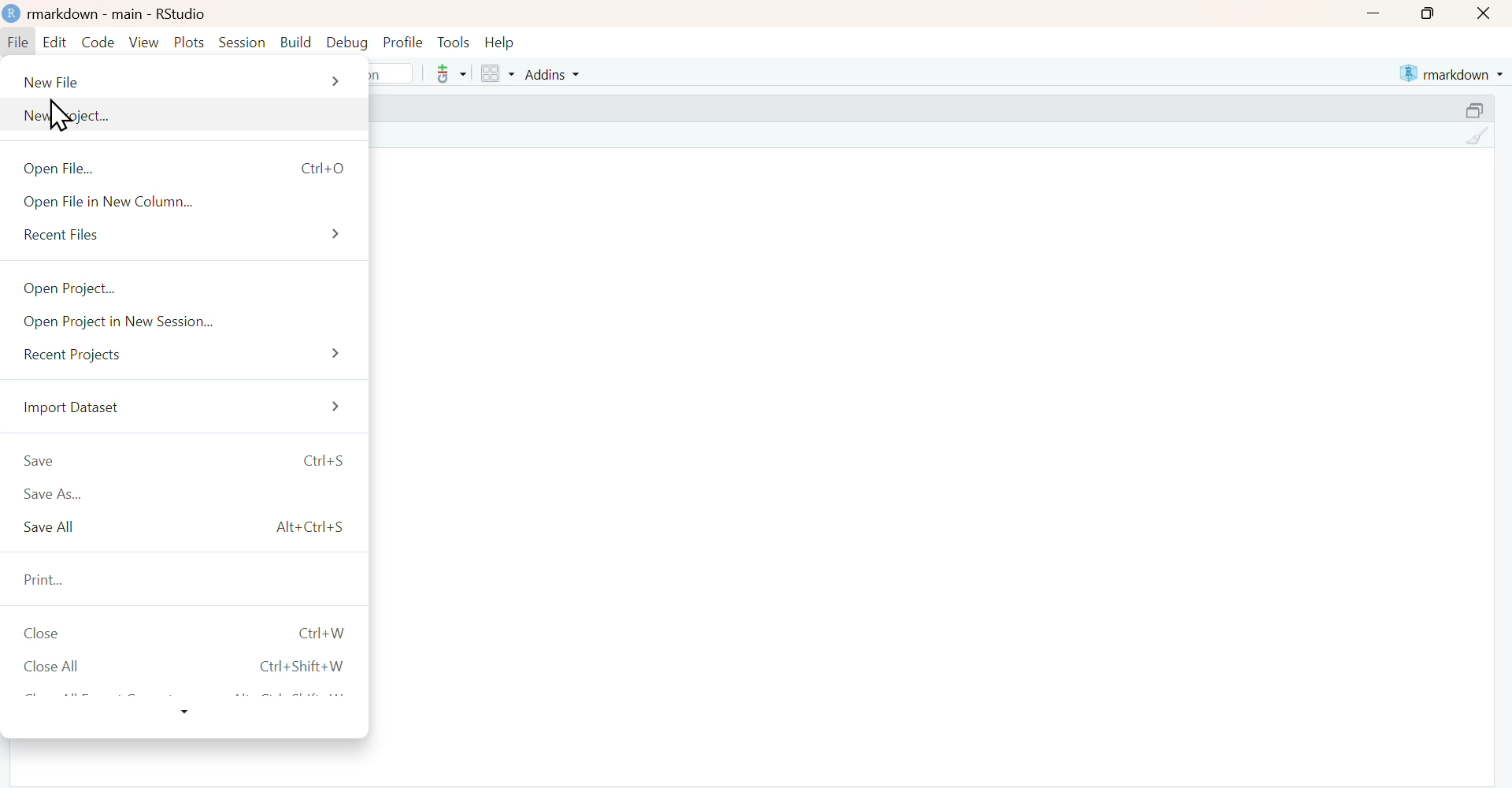  Describe the element at coordinates (122, 13) in the screenshot. I see `Rmarkdown - main - RStudio` at that location.